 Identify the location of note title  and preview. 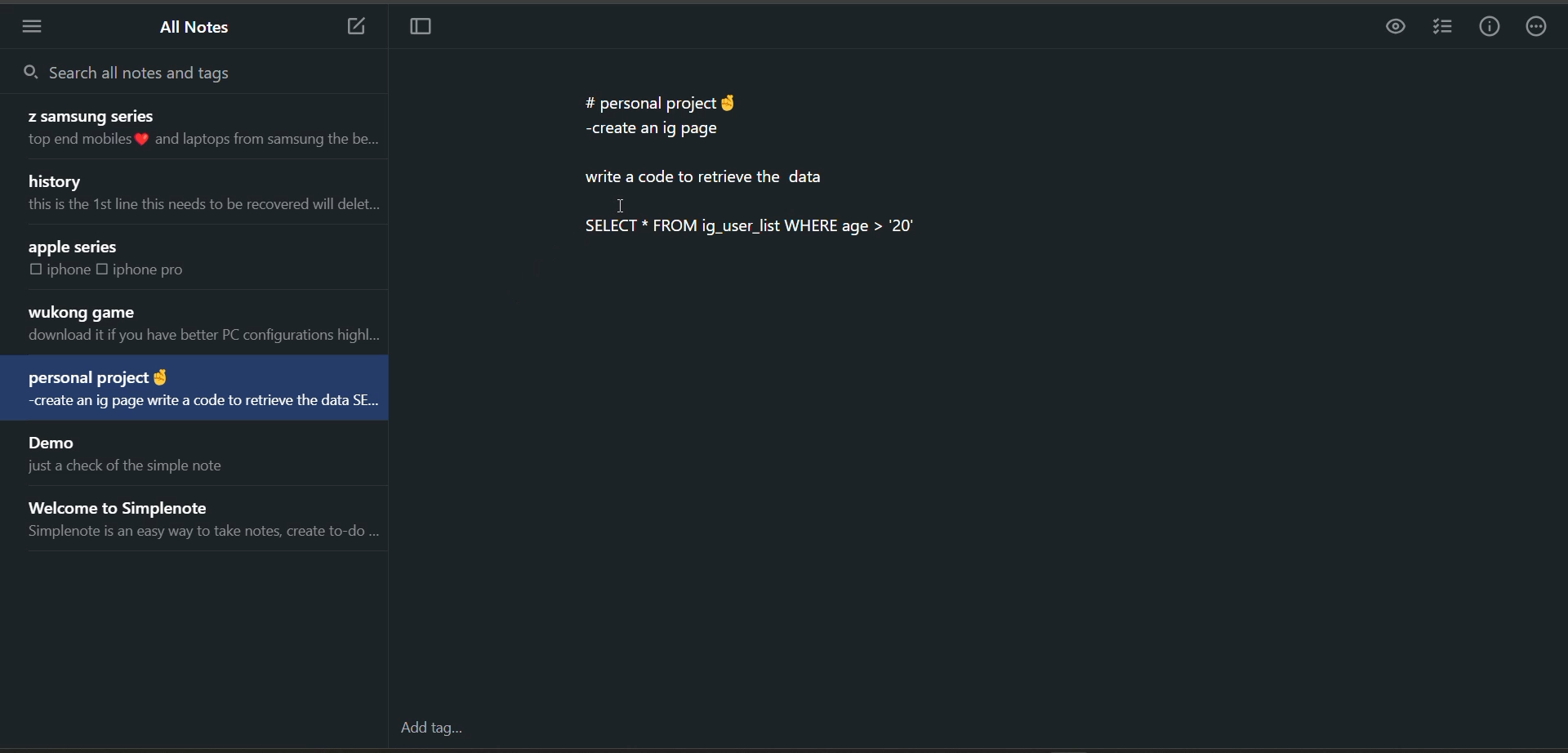
(189, 130).